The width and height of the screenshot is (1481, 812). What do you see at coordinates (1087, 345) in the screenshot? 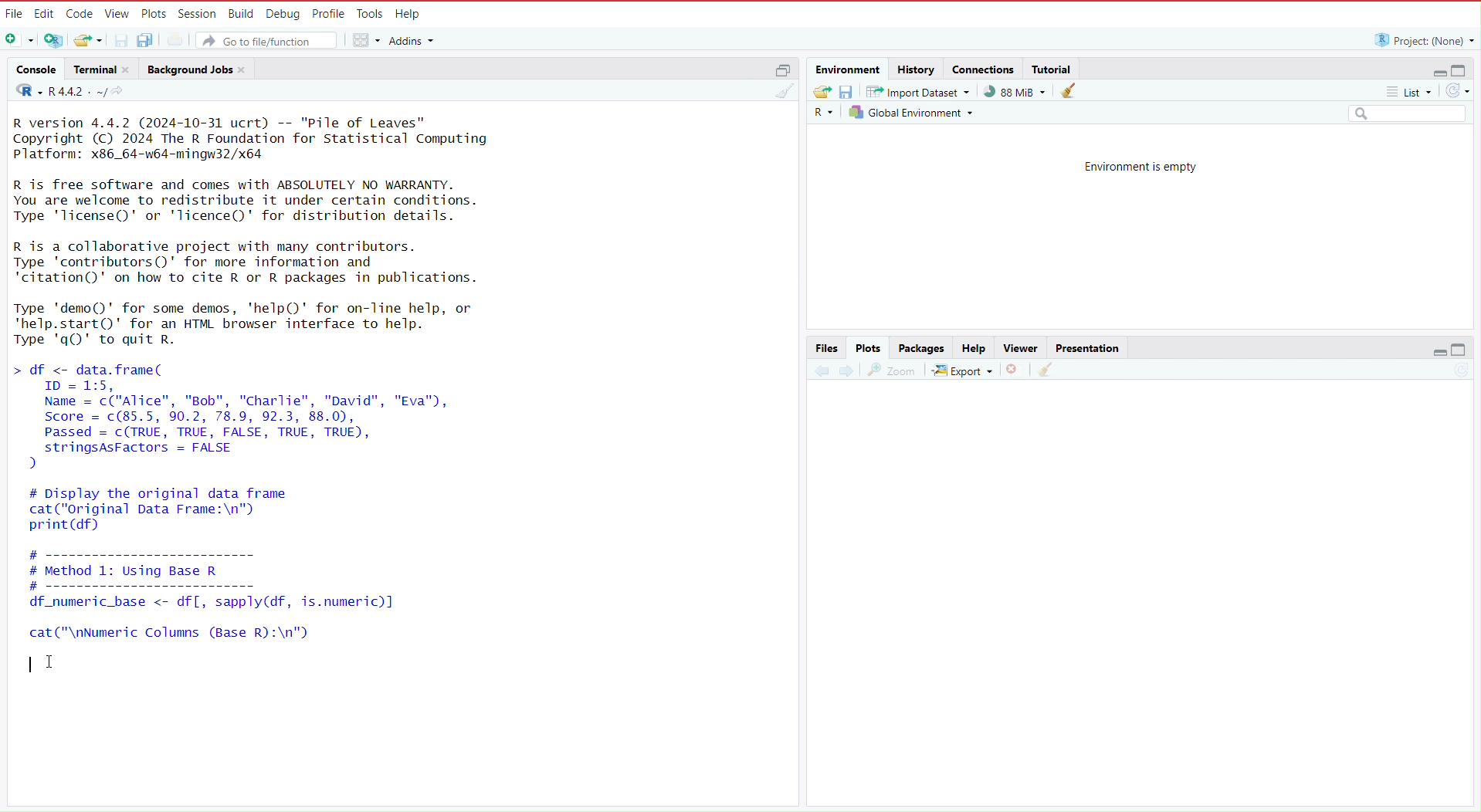
I see `Presentation` at bounding box center [1087, 345].